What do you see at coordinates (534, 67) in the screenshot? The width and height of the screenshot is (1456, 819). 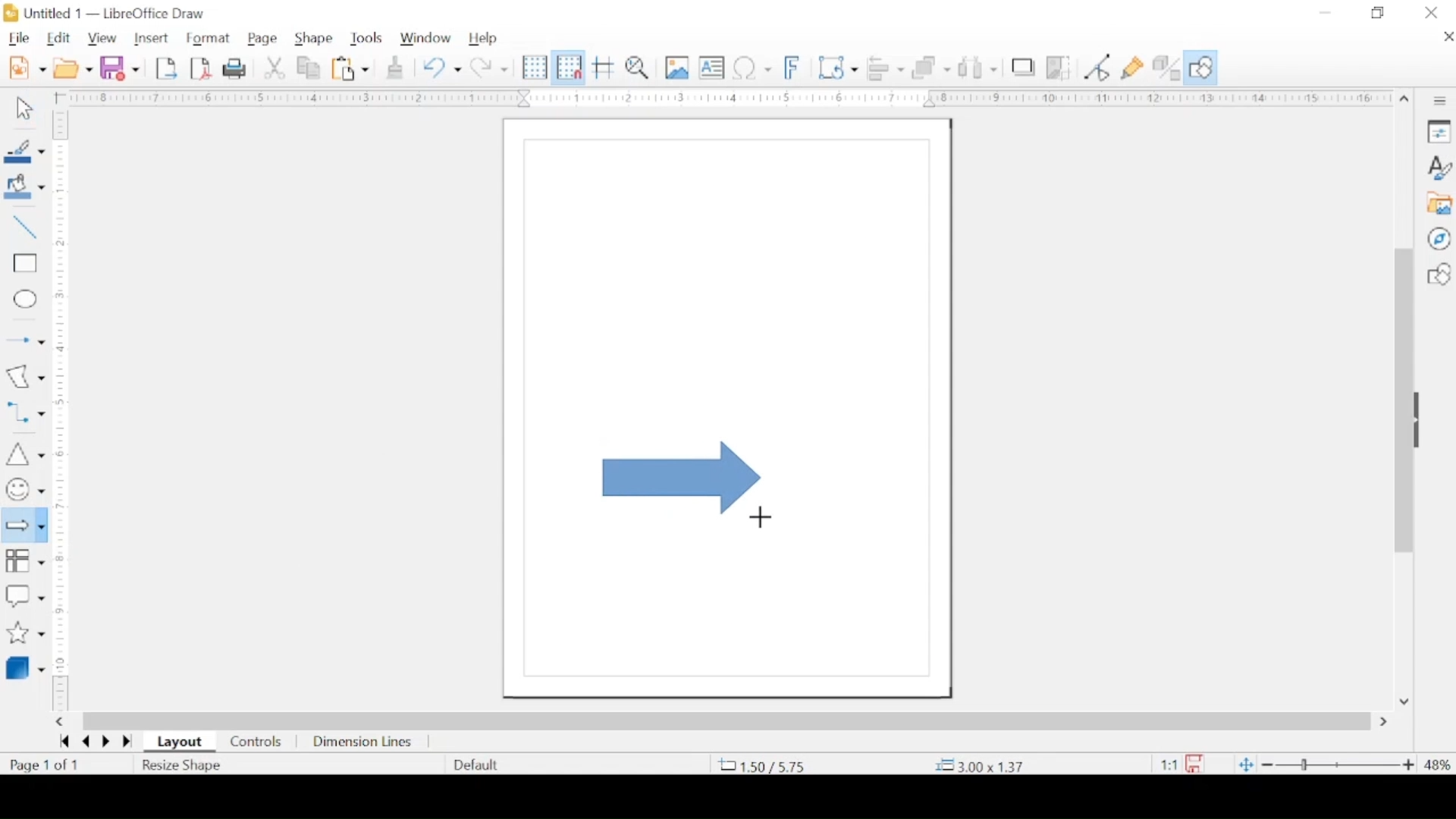 I see `display grid` at bounding box center [534, 67].